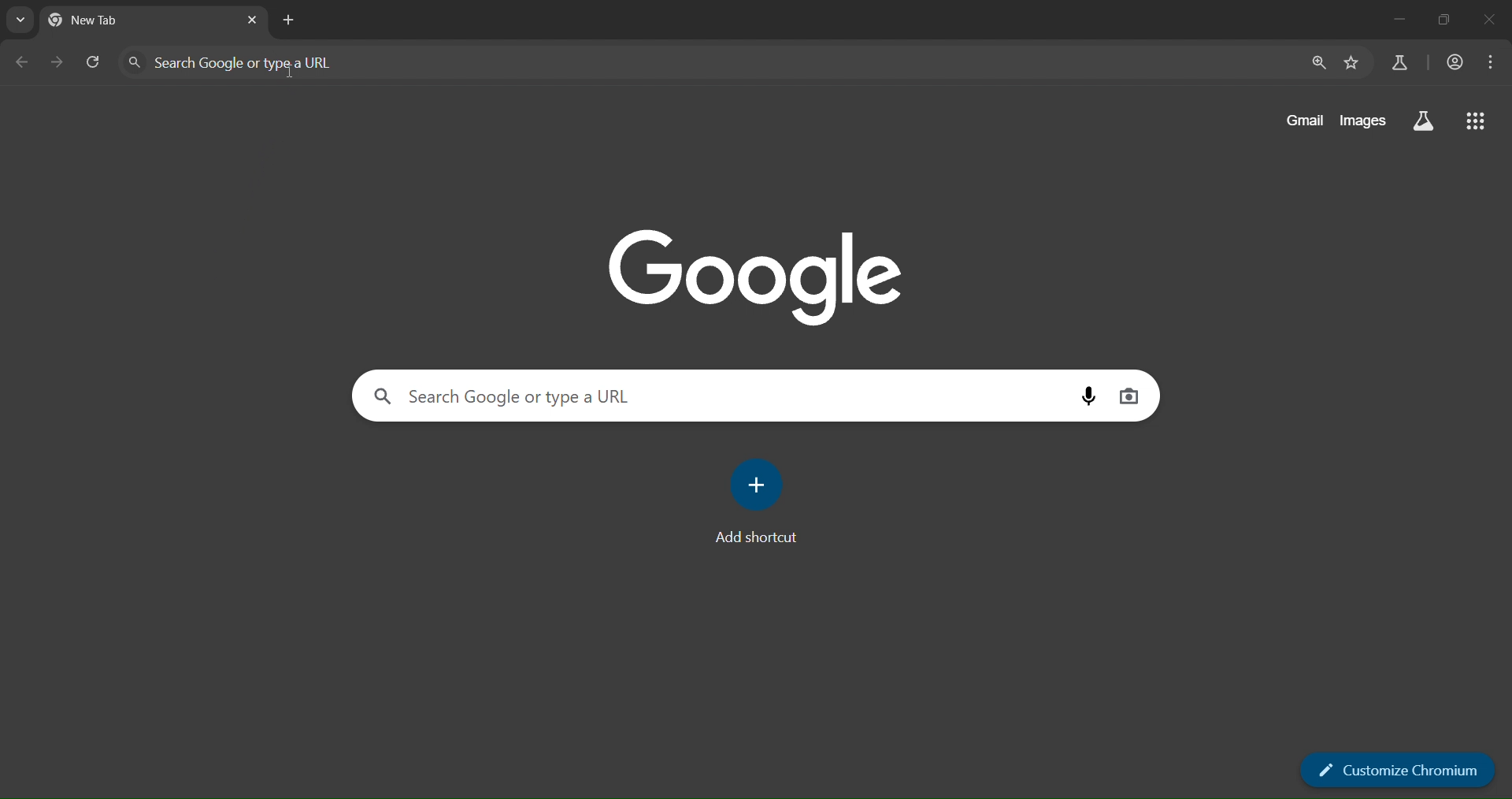 The image size is (1512, 799). Describe the element at coordinates (1480, 121) in the screenshot. I see `google apps` at that location.